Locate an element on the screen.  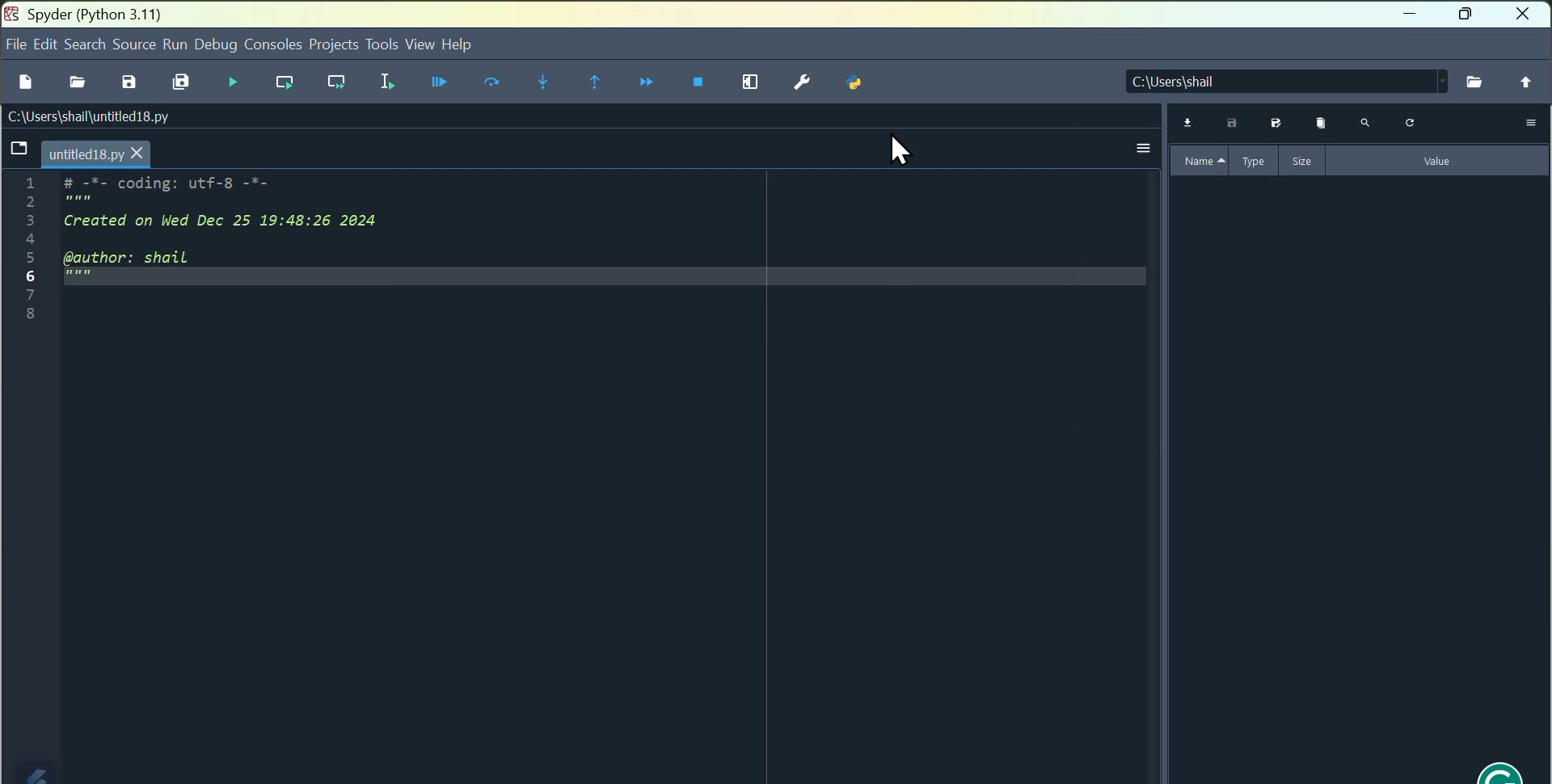
Save file is located at coordinates (129, 82).